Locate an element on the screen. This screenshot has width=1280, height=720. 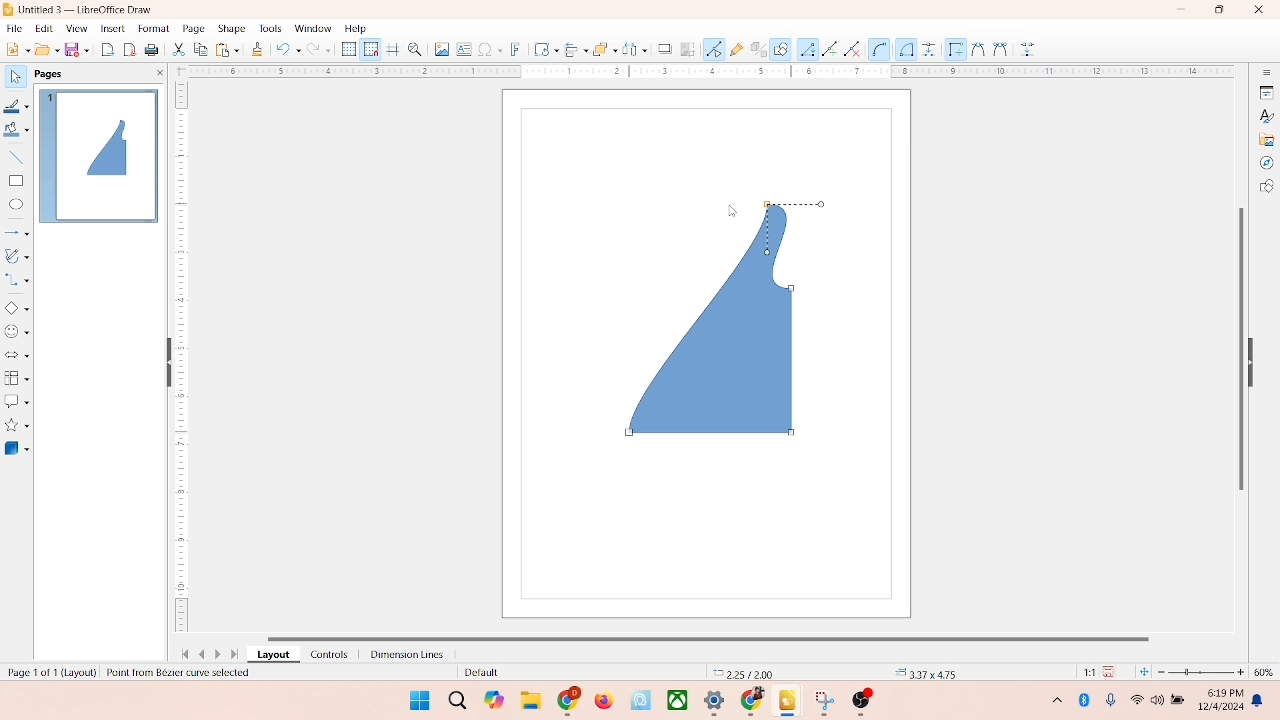
properties is located at coordinates (1265, 91).